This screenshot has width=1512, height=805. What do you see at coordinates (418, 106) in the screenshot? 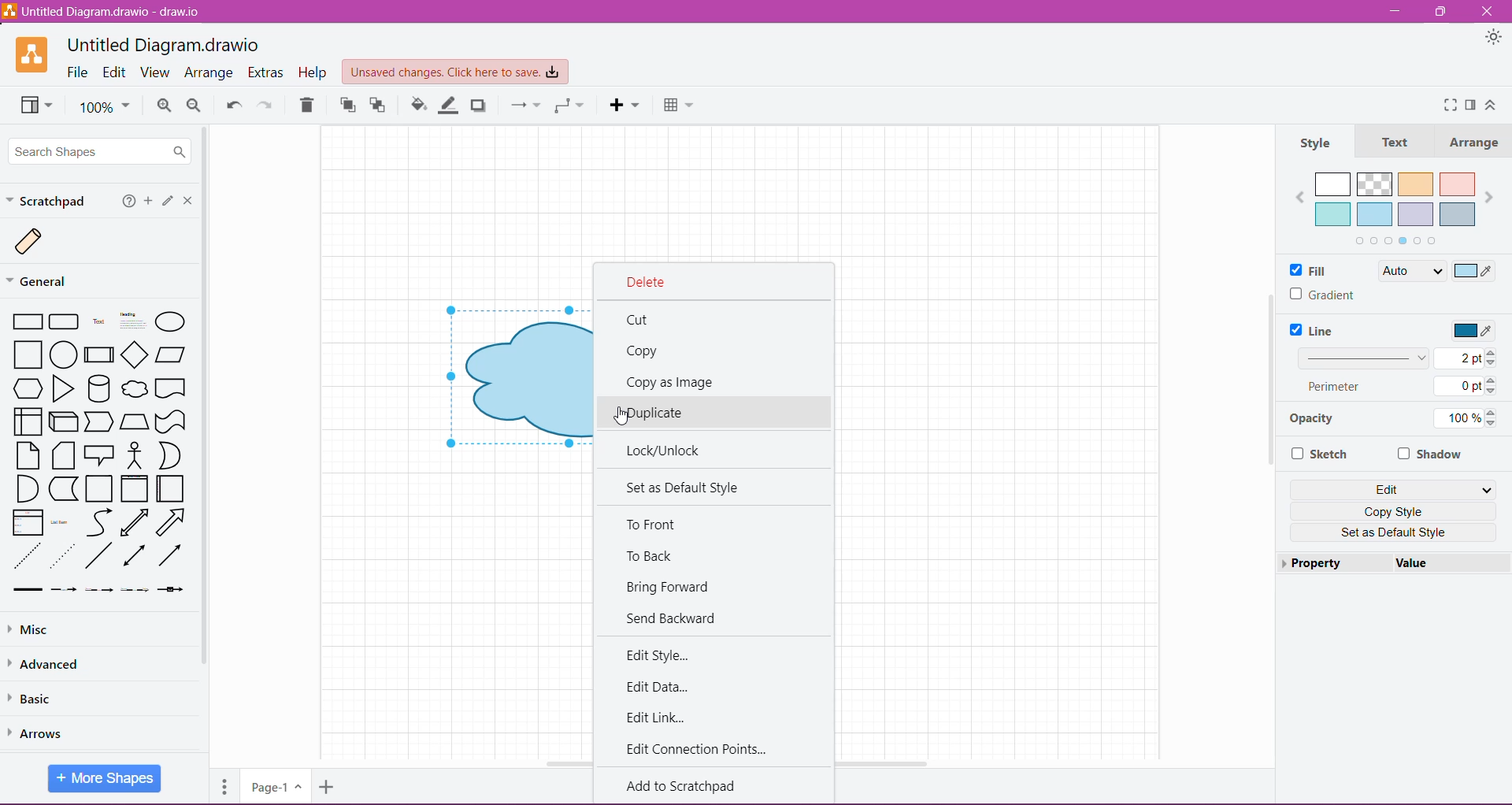
I see `Fill Color` at bounding box center [418, 106].